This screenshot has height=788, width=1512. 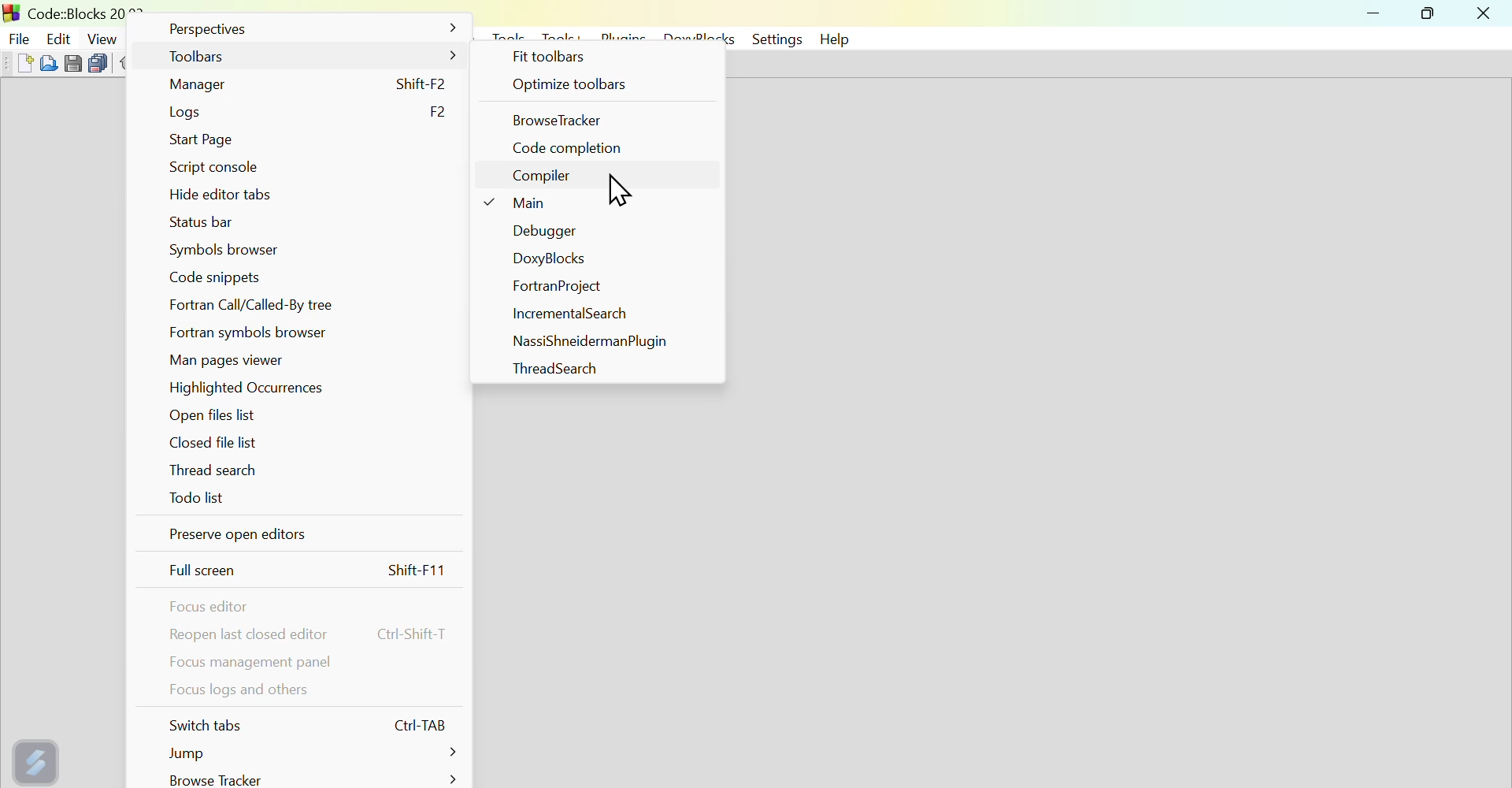 What do you see at coordinates (565, 121) in the screenshot?
I see `Browse tracker` at bounding box center [565, 121].